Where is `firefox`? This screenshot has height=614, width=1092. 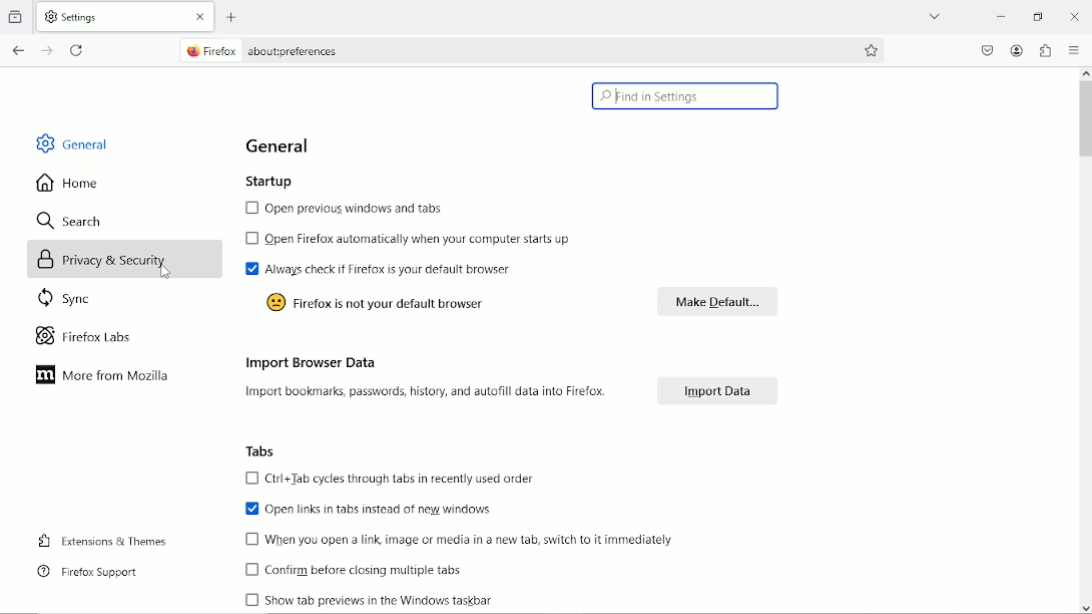
firefox is located at coordinates (210, 50).